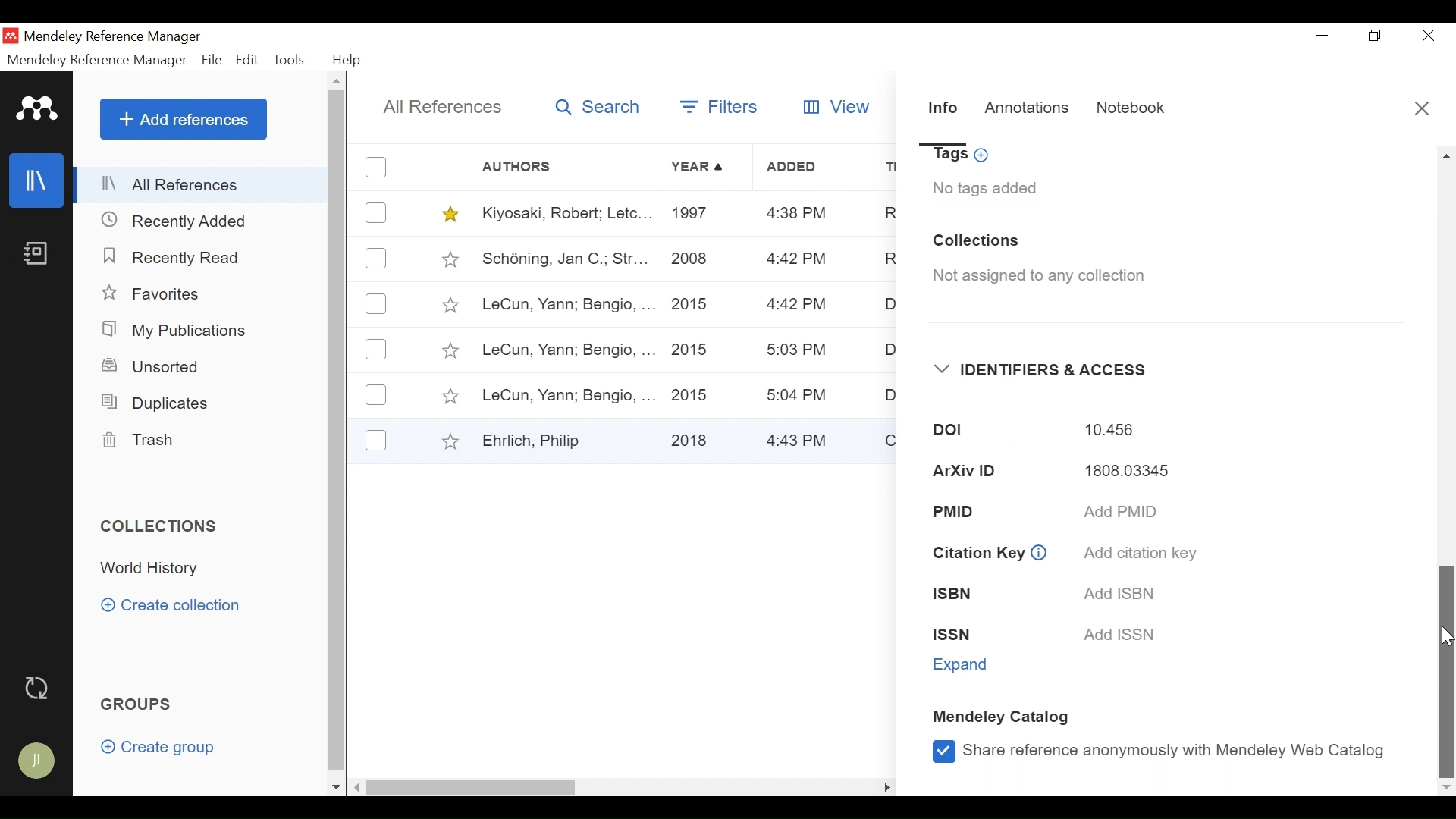 The width and height of the screenshot is (1456, 819). I want to click on Annotation, so click(1029, 110).